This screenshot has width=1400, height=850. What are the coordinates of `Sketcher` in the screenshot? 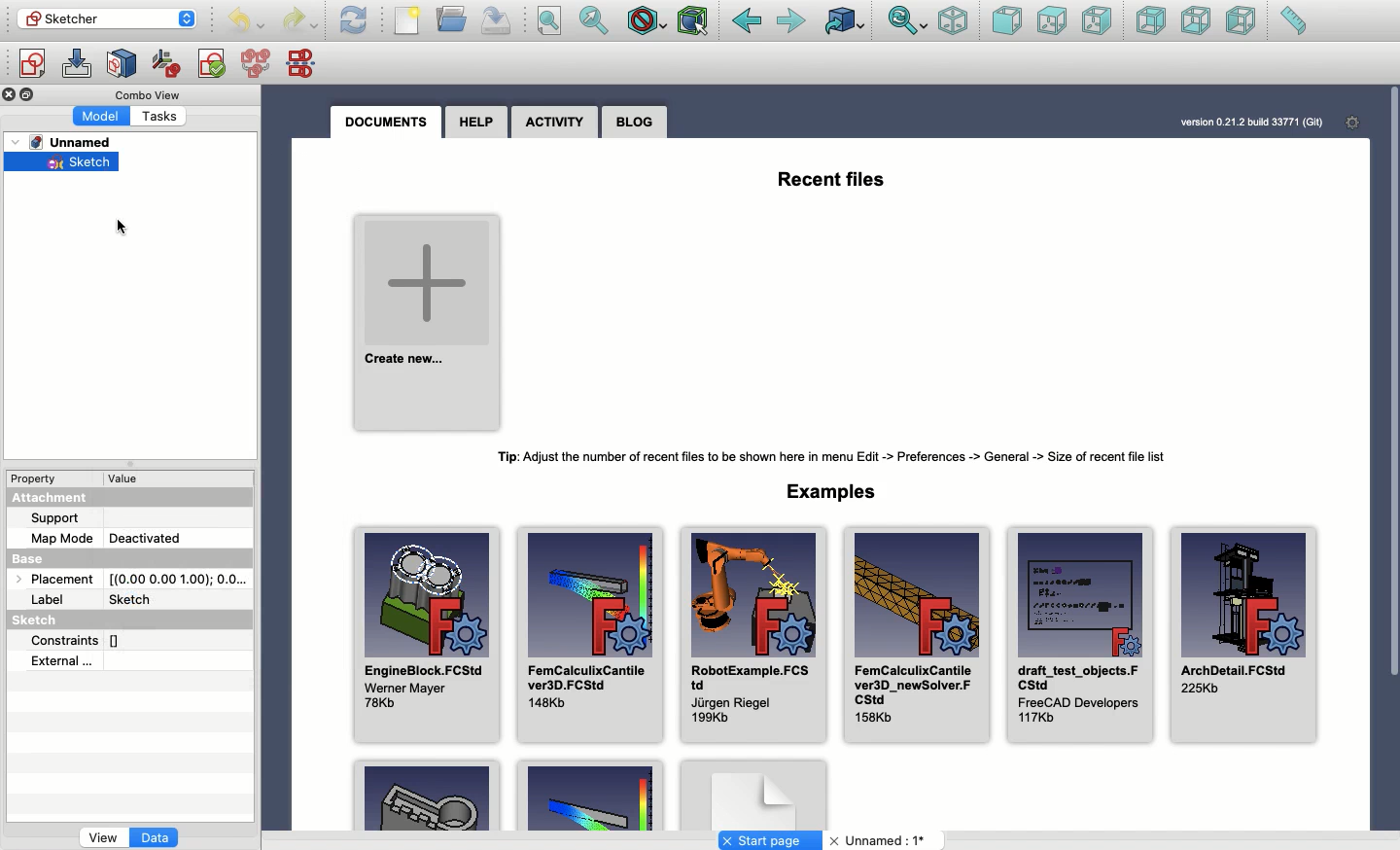 It's located at (94, 18).